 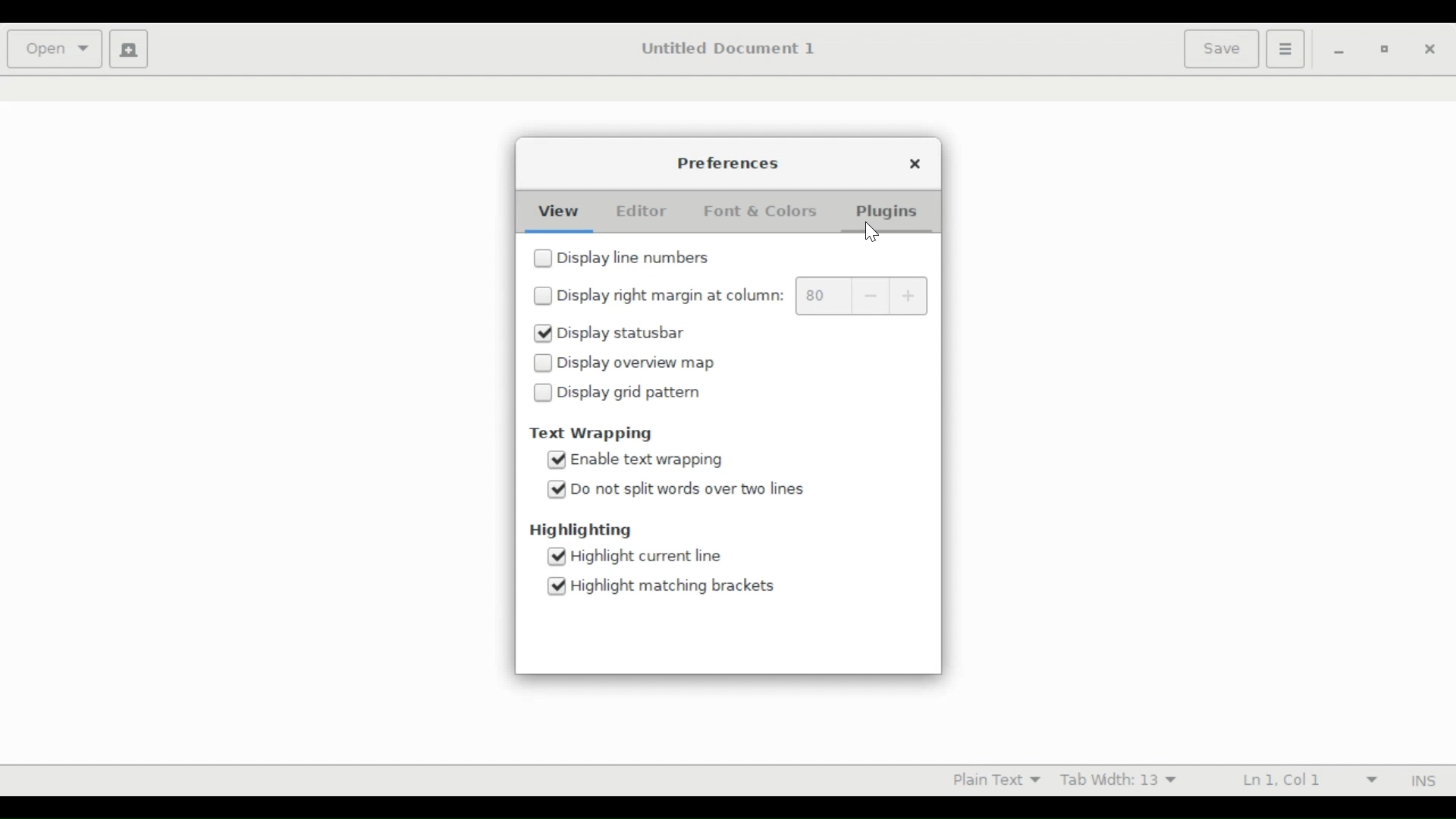 What do you see at coordinates (907, 297) in the screenshot?
I see `Increase` at bounding box center [907, 297].